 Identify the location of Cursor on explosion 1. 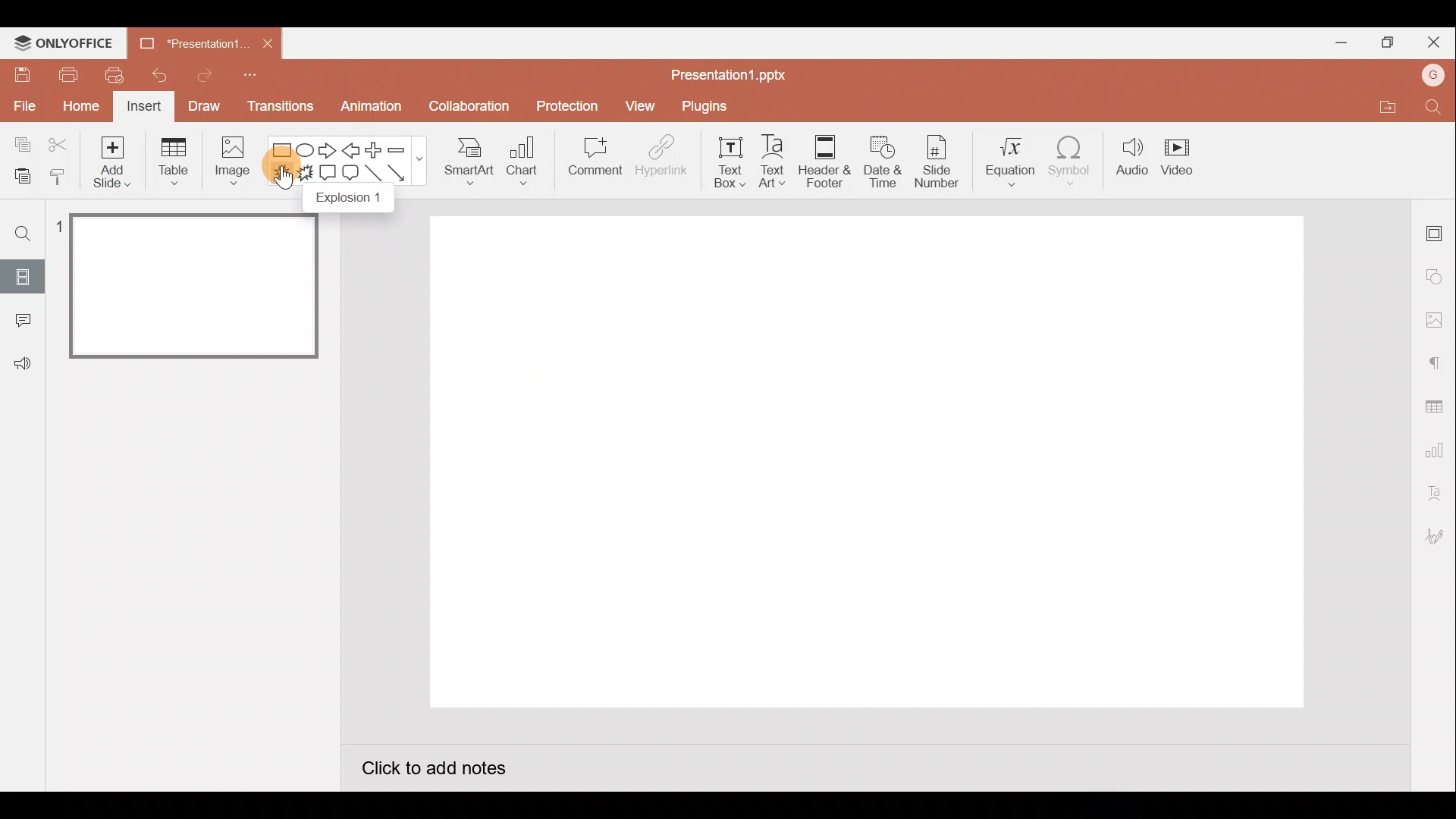
(283, 181).